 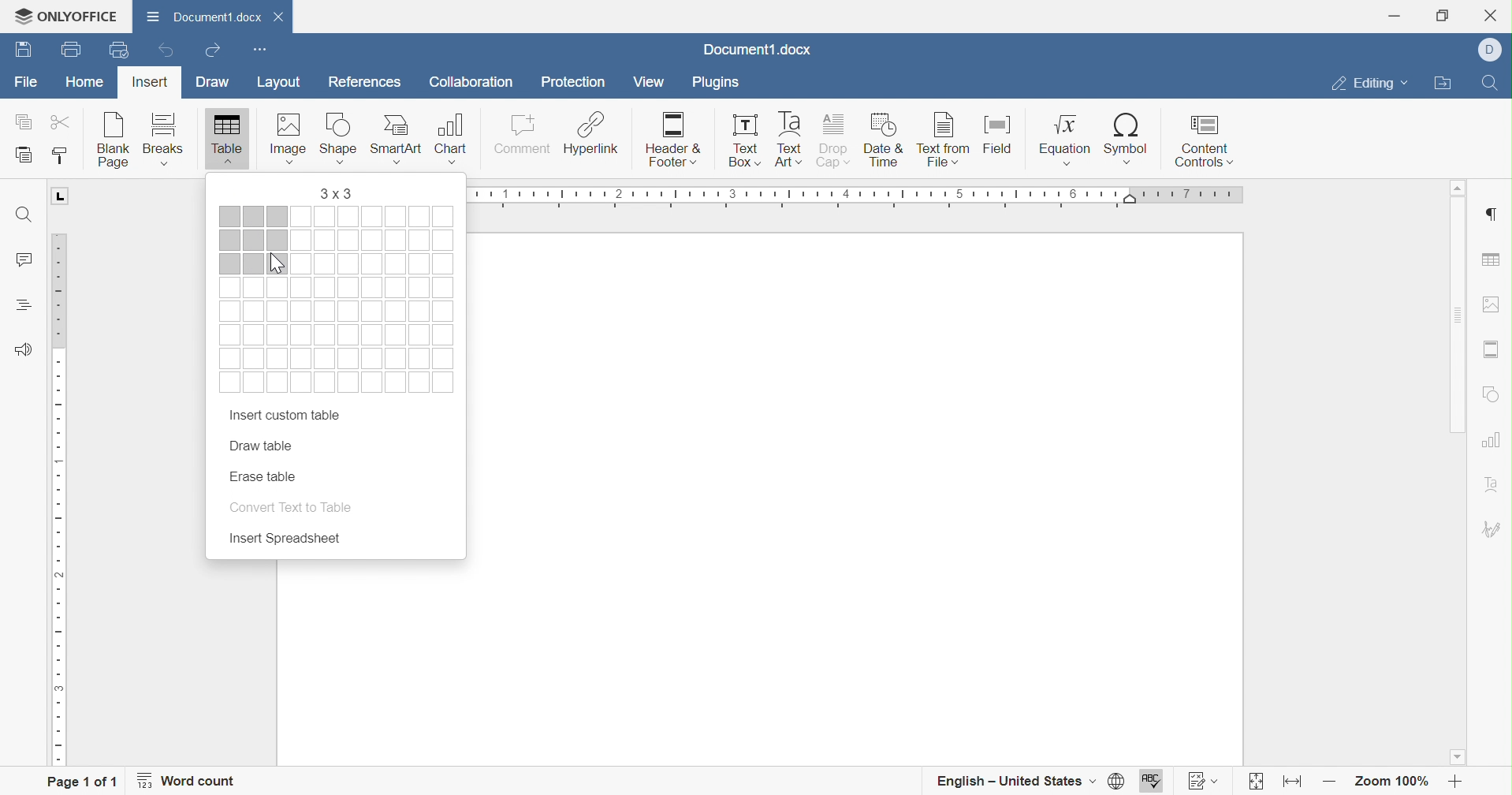 What do you see at coordinates (1153, 779) in the screenshot?
I see `Spell checking` at bounding box center [1153, 779].